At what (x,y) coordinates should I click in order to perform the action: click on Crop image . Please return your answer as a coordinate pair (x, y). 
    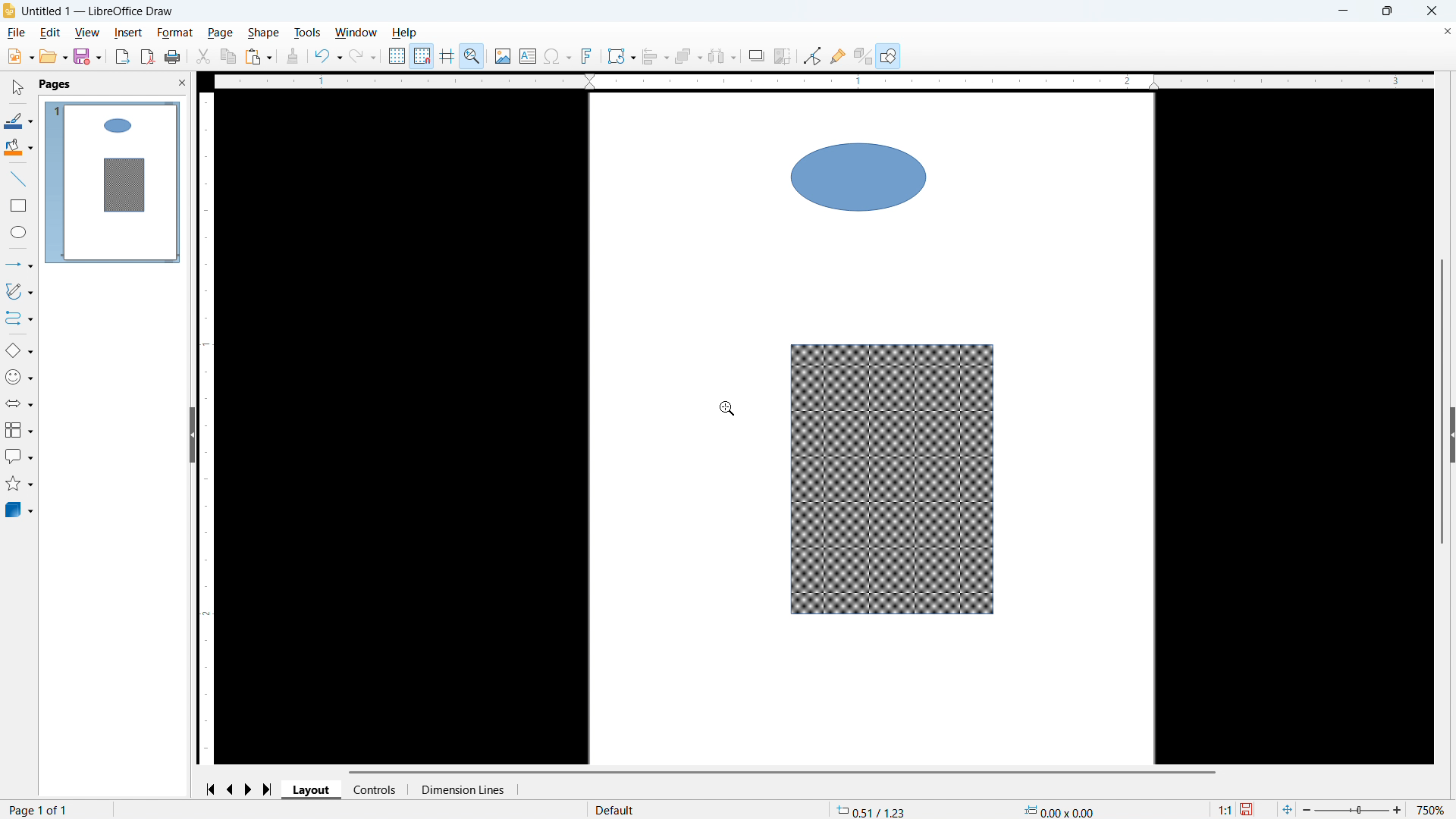
    Looking at the image, I should click on (783, 55).